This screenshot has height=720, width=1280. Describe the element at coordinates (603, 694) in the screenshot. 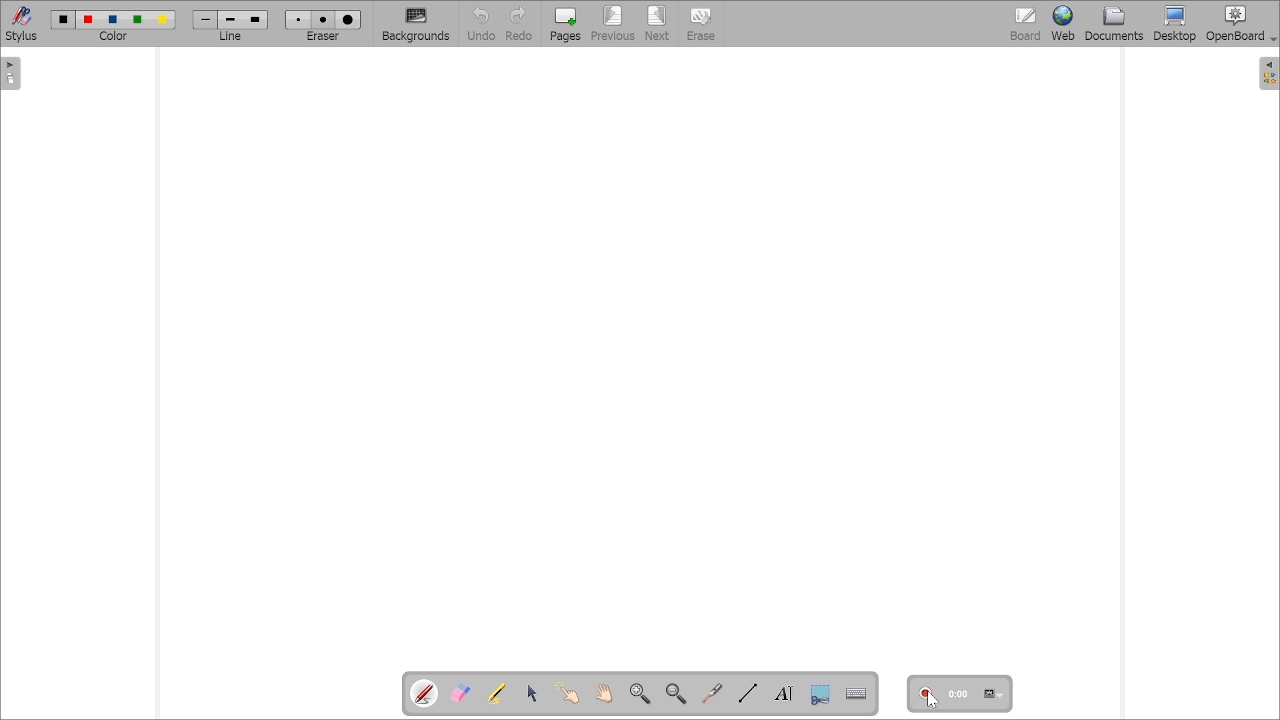

I see `Scroll page` at that location.